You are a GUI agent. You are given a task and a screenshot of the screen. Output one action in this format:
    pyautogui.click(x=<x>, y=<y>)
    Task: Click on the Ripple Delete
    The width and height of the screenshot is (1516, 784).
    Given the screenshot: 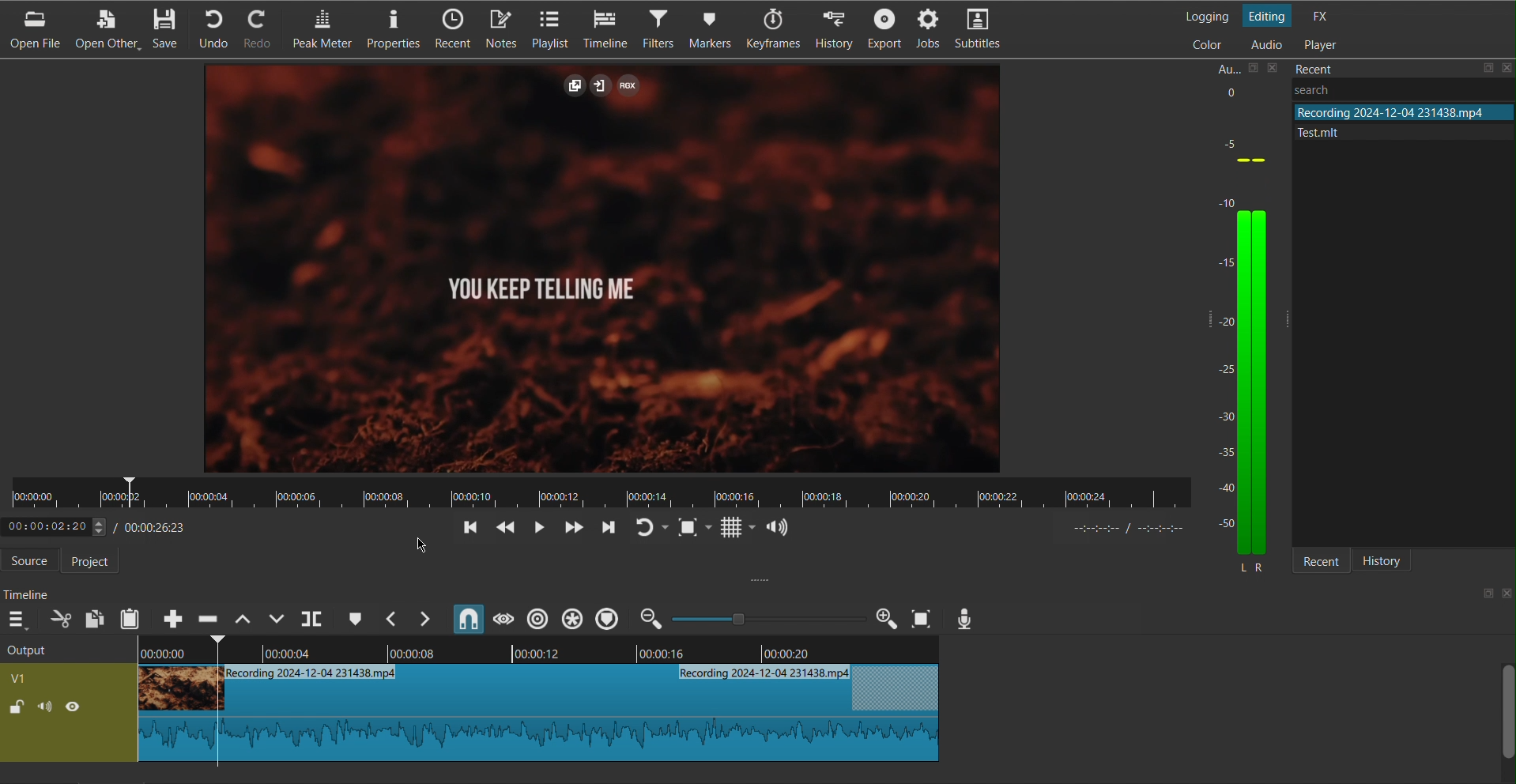 What is the action you would take?
    pyautogui.click(x=208, y=615)
    